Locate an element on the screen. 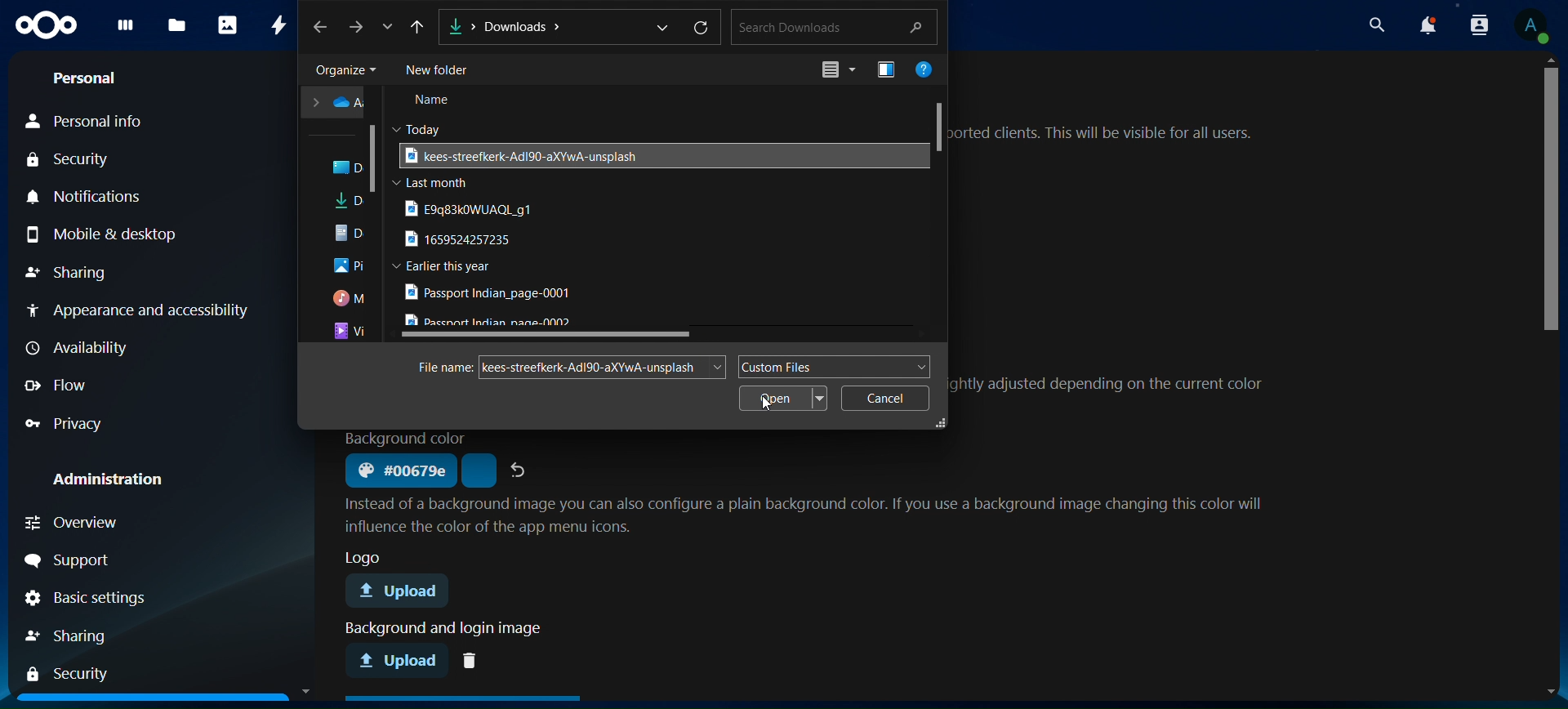 Image resolution: width=1568 pixels, height=709 pixels. name is located at coordinates (435, 102).